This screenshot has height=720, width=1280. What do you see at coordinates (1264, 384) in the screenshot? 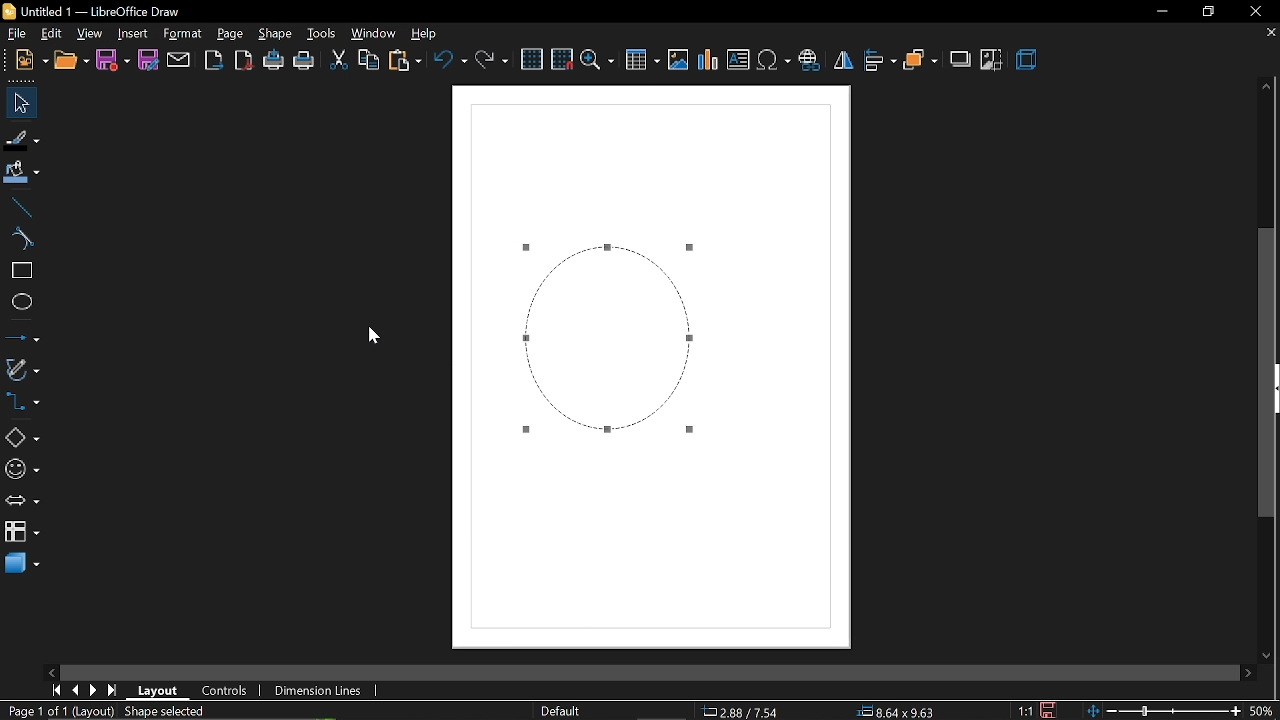
I see `vertical scroll bar` at bounding box center [1264, 384].